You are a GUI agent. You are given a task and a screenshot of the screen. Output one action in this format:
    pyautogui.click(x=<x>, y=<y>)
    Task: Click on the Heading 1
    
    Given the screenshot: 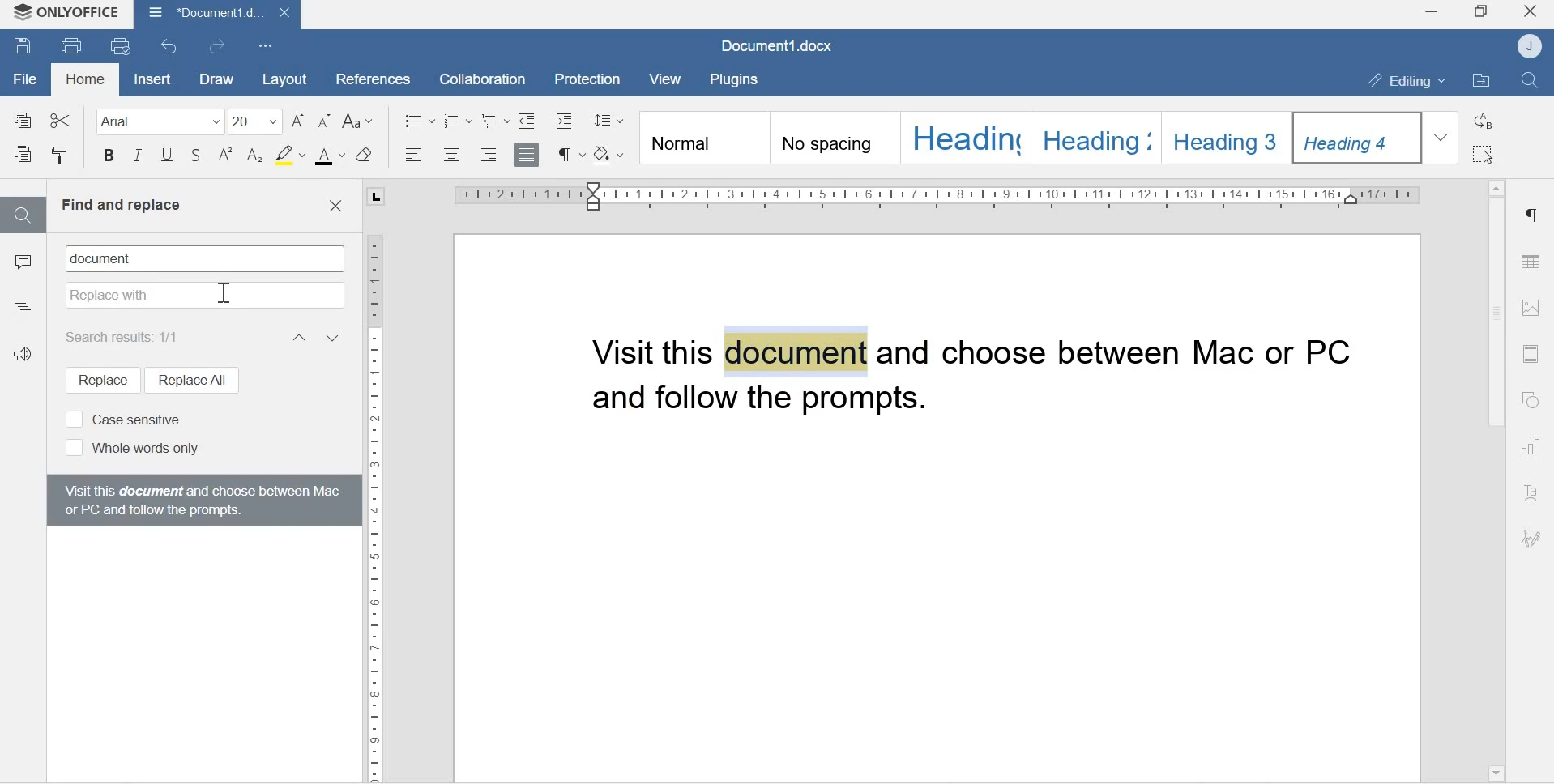 What is the action you would take?
    pyautogui.click(x=965, y=137)
    